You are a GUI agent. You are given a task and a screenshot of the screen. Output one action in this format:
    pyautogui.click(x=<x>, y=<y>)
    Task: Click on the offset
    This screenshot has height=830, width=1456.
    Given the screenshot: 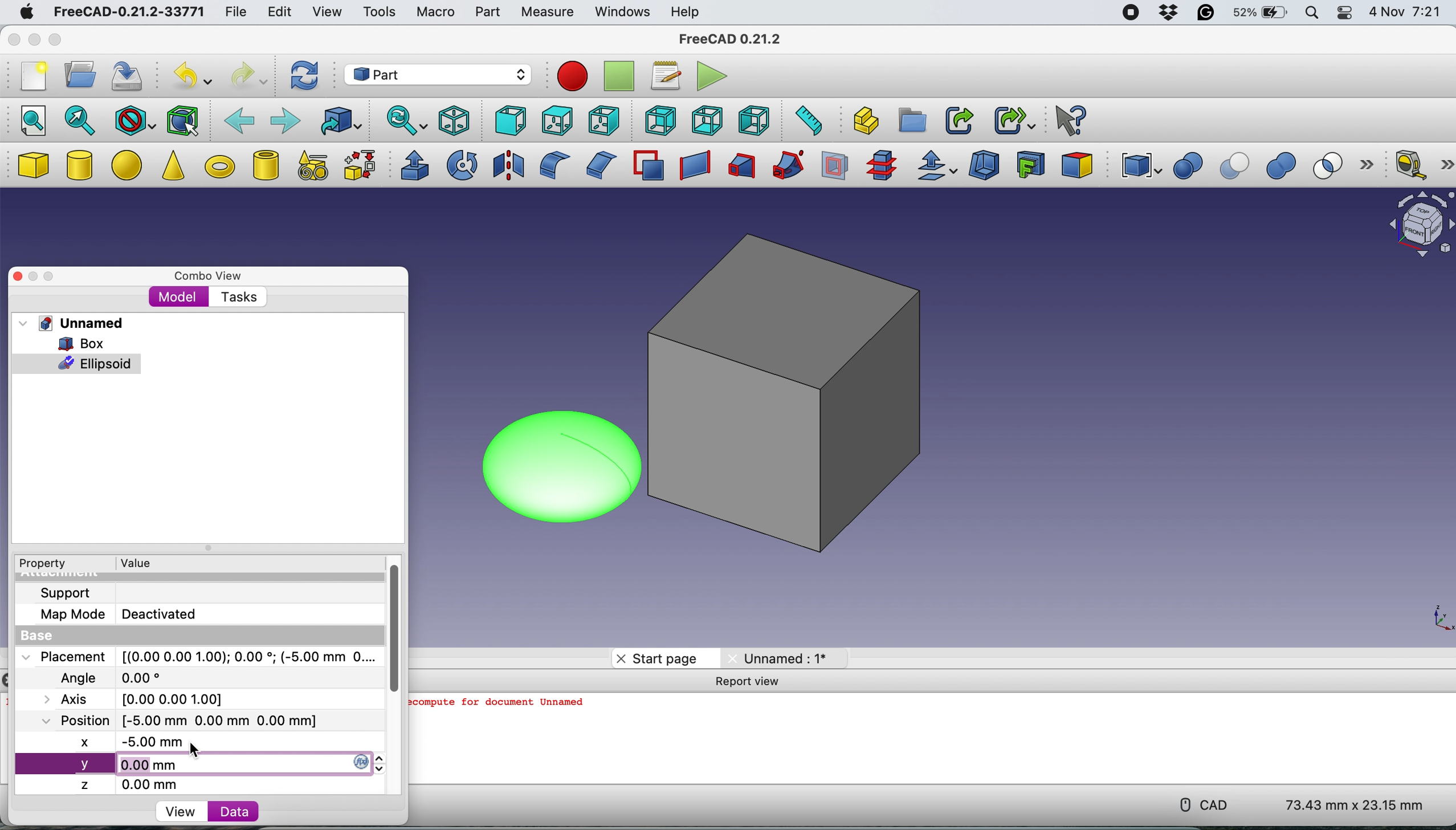 What is the action you would take?
    pyautogui.click(x=937, y=167)
    